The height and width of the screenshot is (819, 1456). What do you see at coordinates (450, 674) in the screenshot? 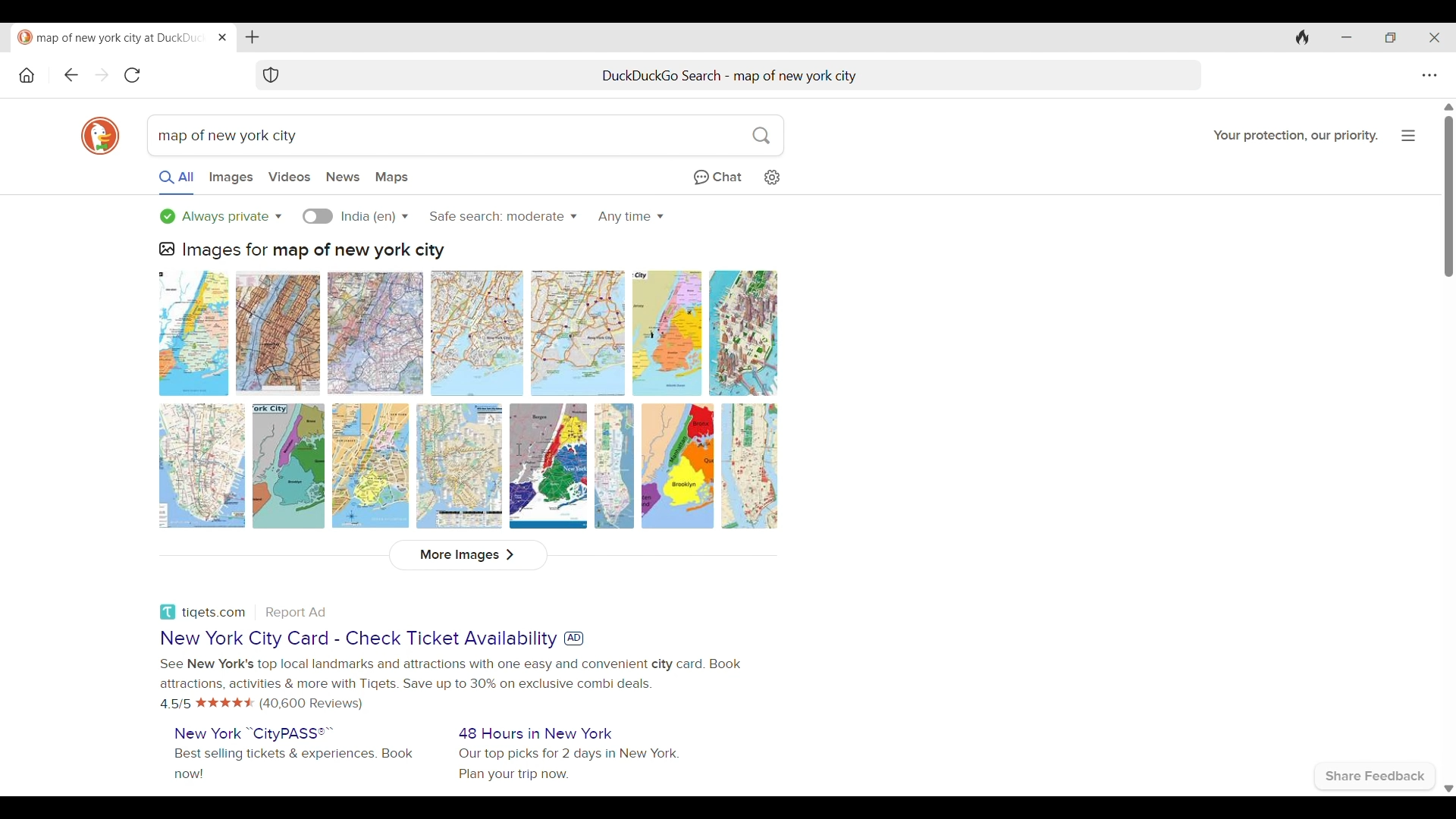
I see `See New York's top local landmarks and attractions with one easy and convenient city card. Book
attractions, activities & more with Tigets. Save up to 30% on exclusive combi deals.` at bounding box center [450, 674].